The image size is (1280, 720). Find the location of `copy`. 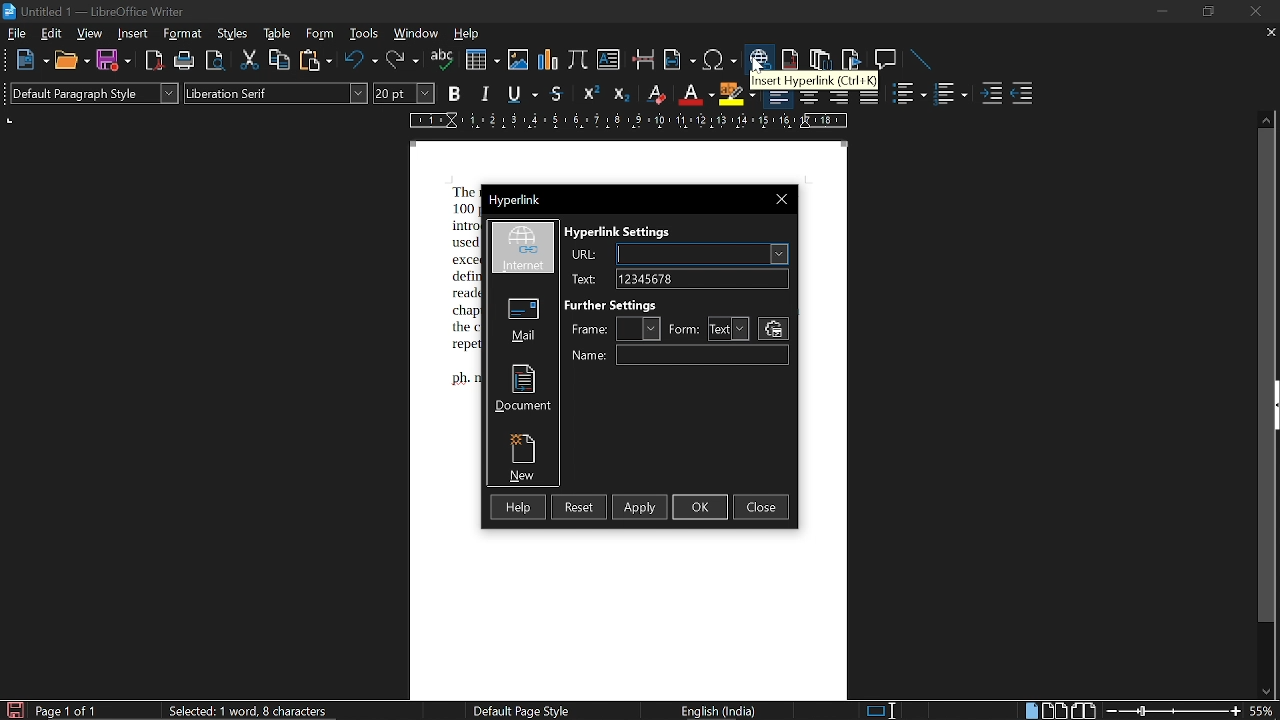

copy is located at coordinates (280, 61).